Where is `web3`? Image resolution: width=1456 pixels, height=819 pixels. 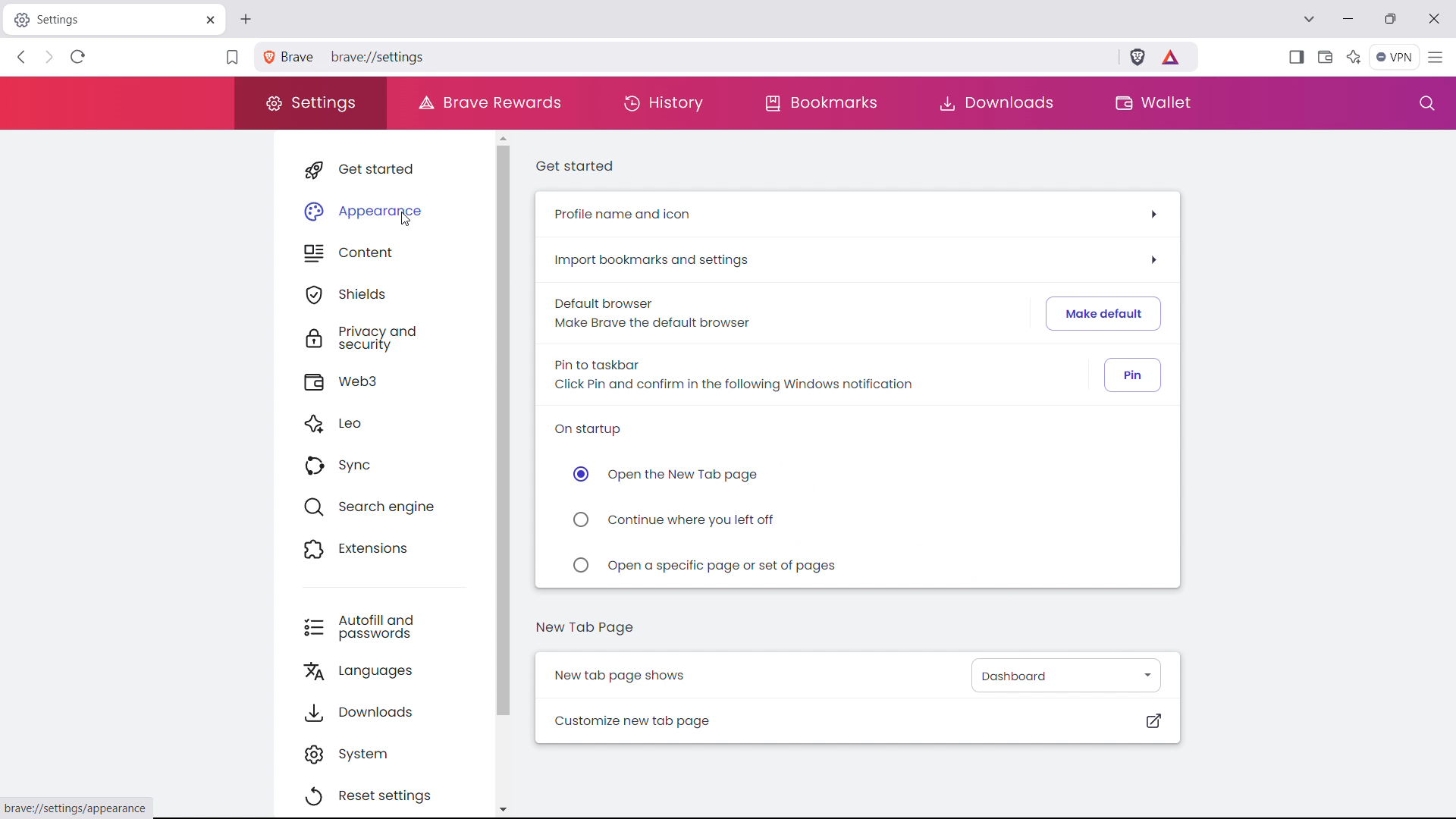
web3 is located at coordinates (386, 380).